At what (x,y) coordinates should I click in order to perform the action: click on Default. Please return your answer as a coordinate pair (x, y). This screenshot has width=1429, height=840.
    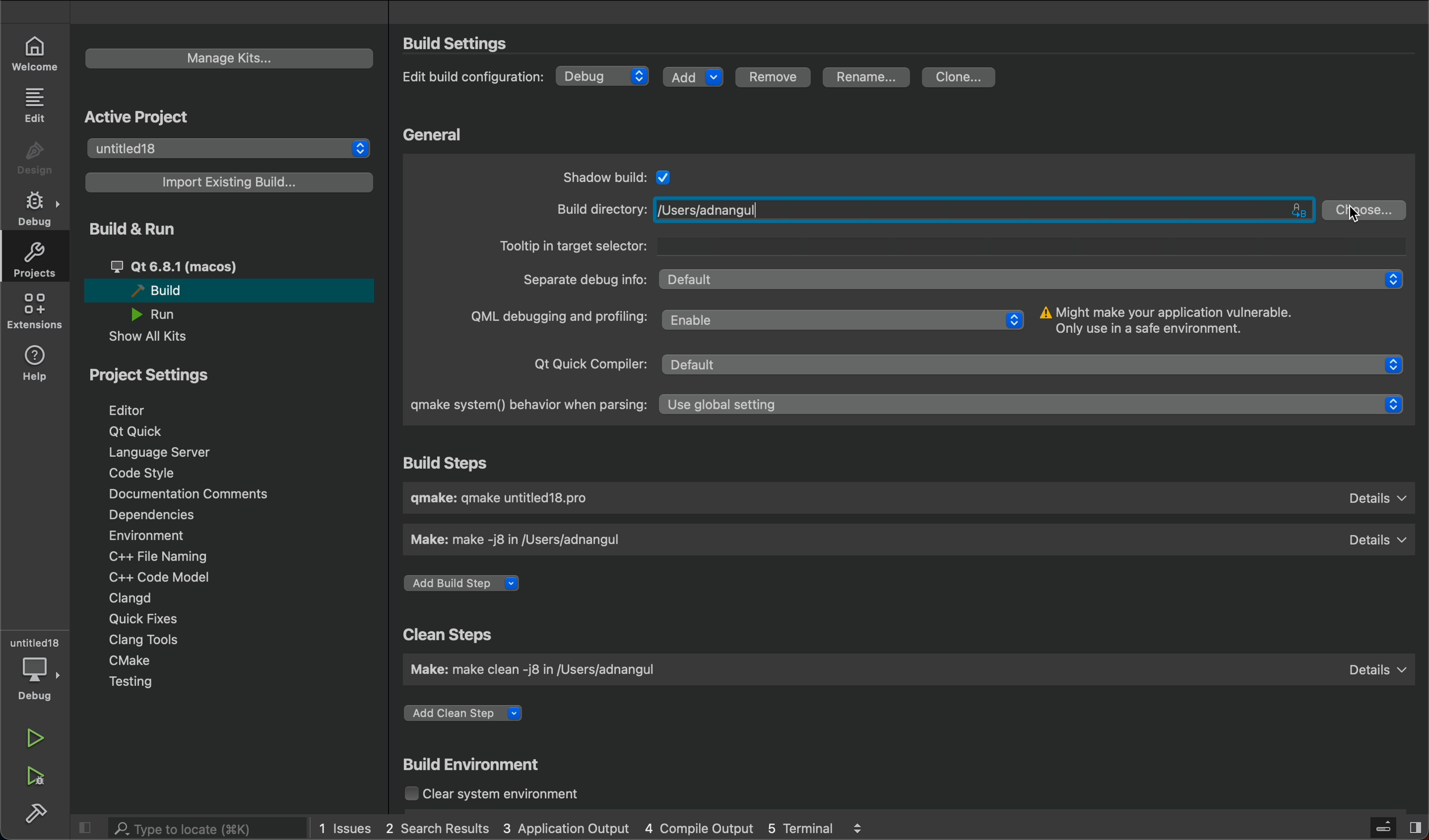
    Looking at the image, I should click on (1037, 366).